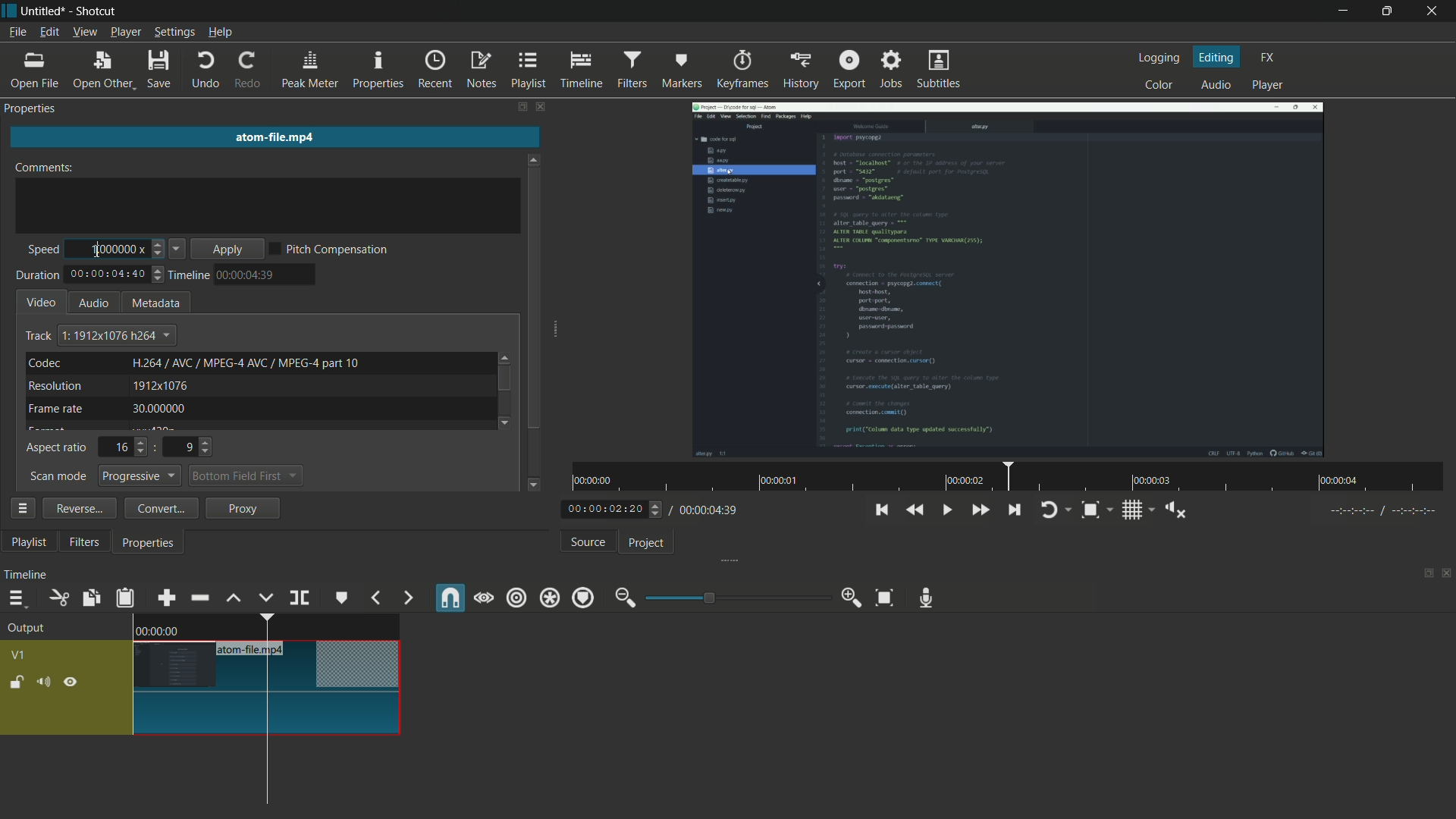  Describe the element at coordinates (30, 629) in the screenshot. I see `output` at that location.